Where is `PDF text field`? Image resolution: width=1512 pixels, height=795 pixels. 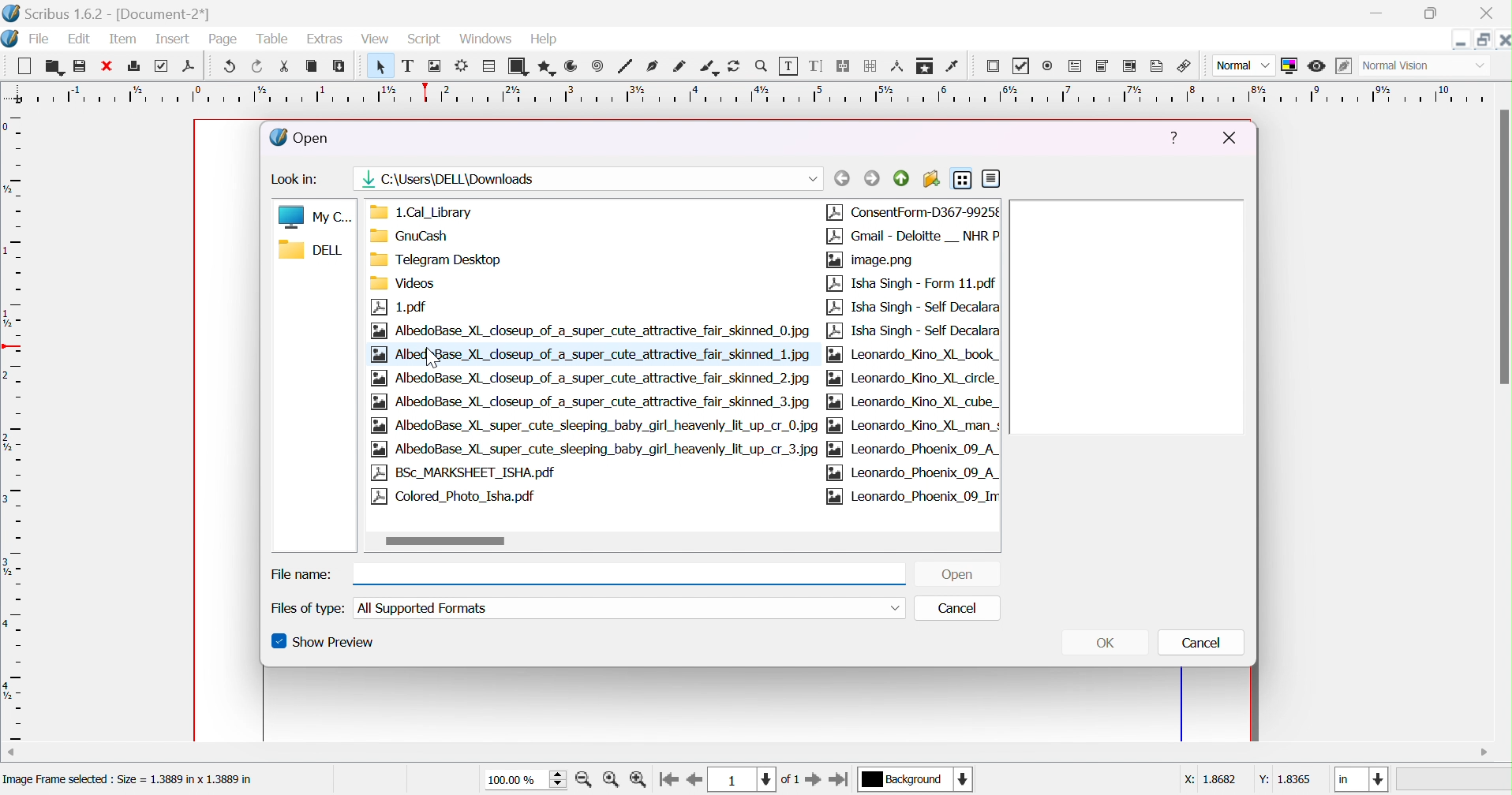
PDF text field is located at coordinates (1076, 66).